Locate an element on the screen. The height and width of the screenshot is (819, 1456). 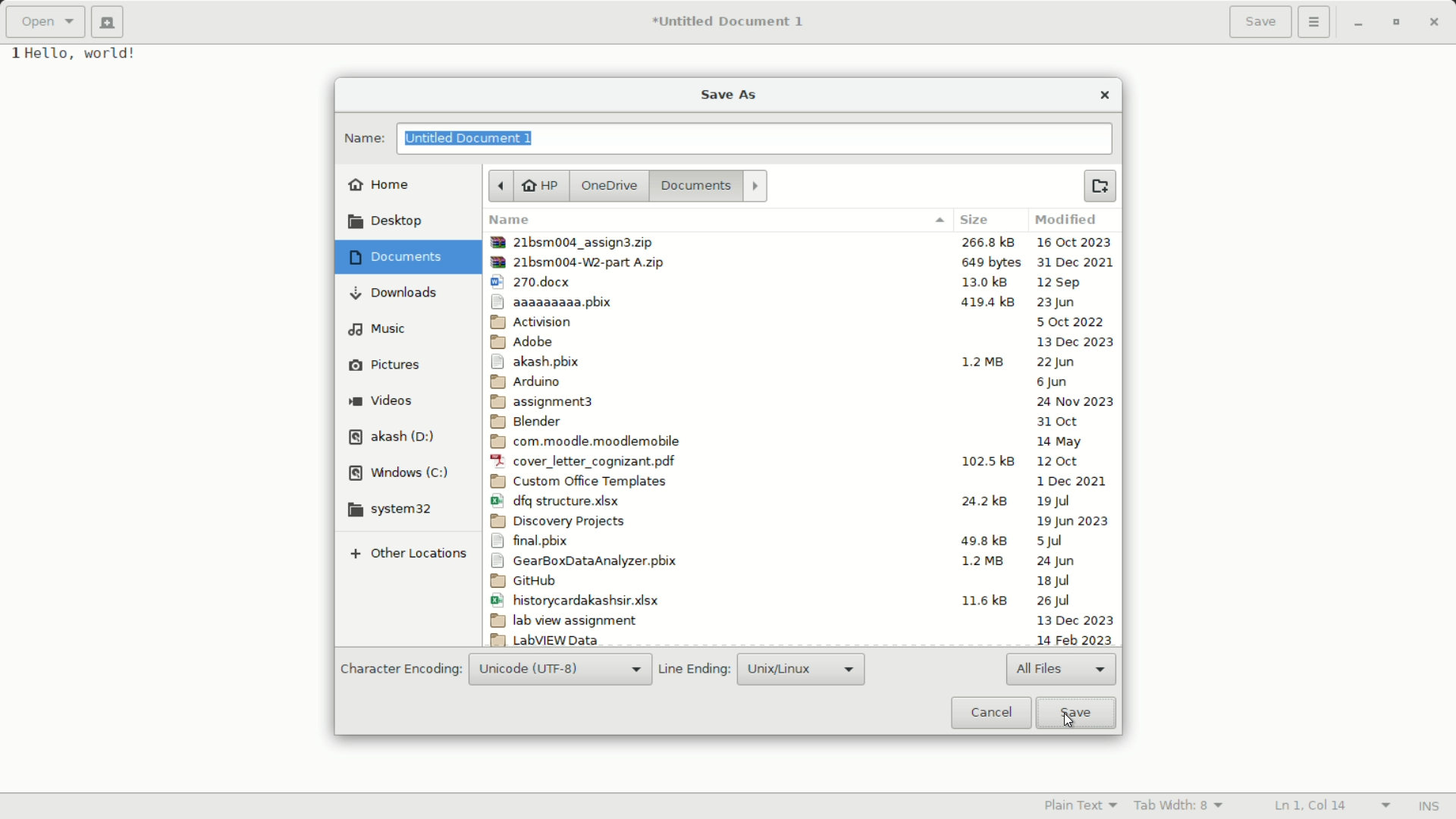
File is located at coordinates (802, 463).